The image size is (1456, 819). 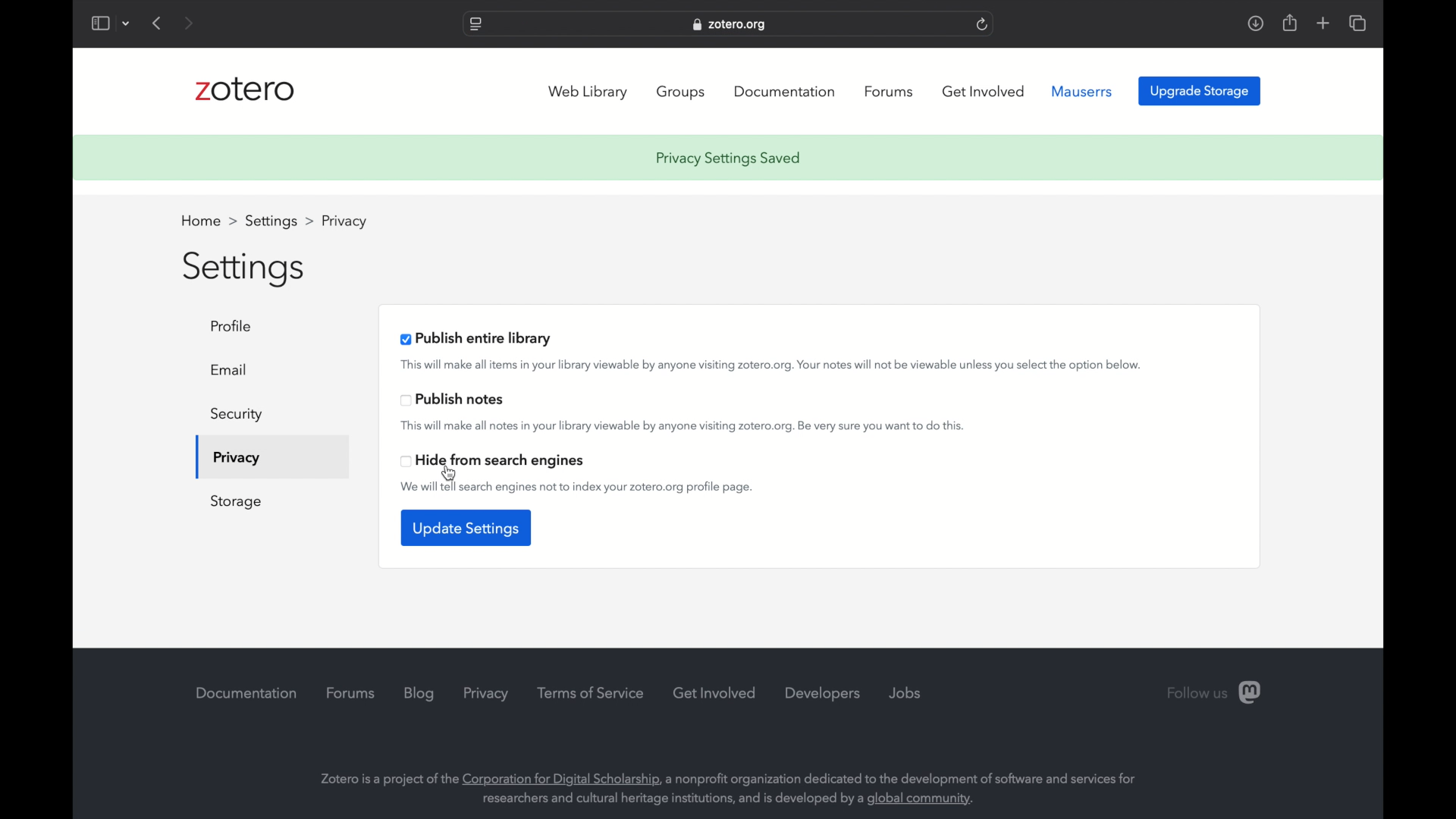 I want to click on web library, so click(x=588, y=92).